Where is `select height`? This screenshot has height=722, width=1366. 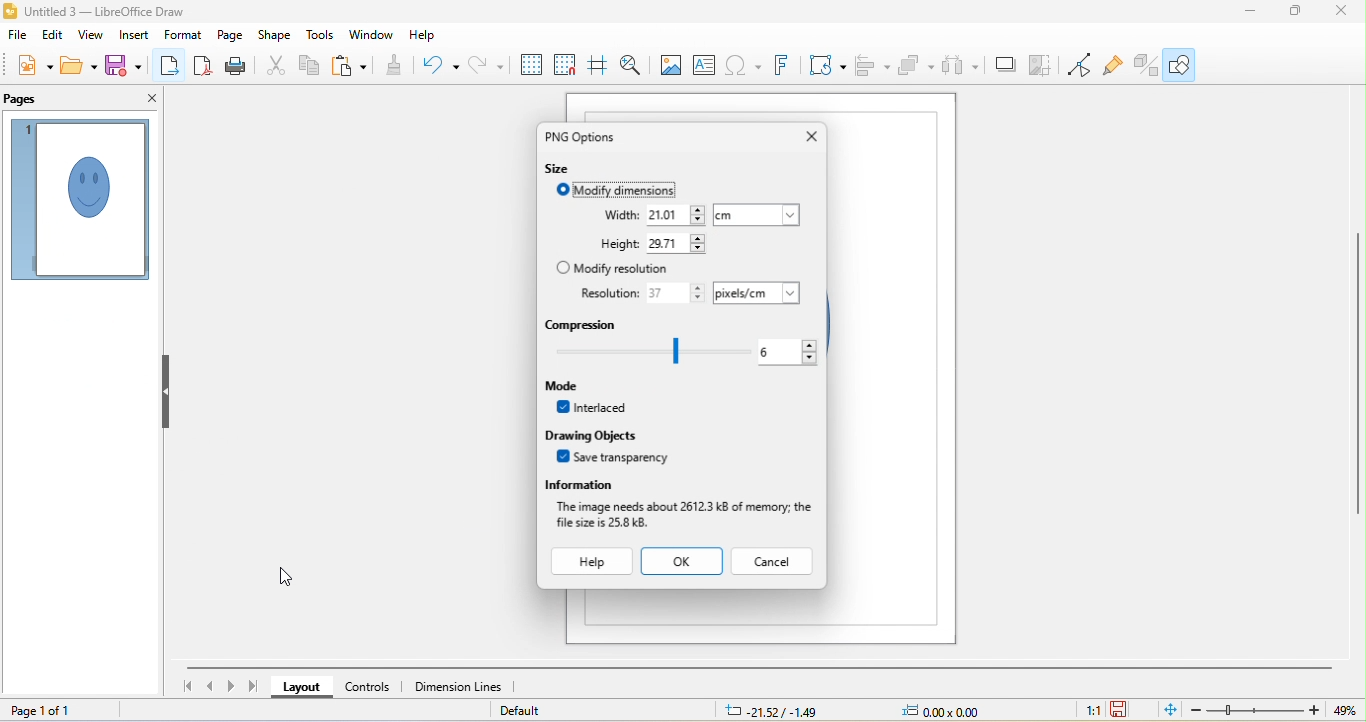 select height is located at coordinates (676, 243).